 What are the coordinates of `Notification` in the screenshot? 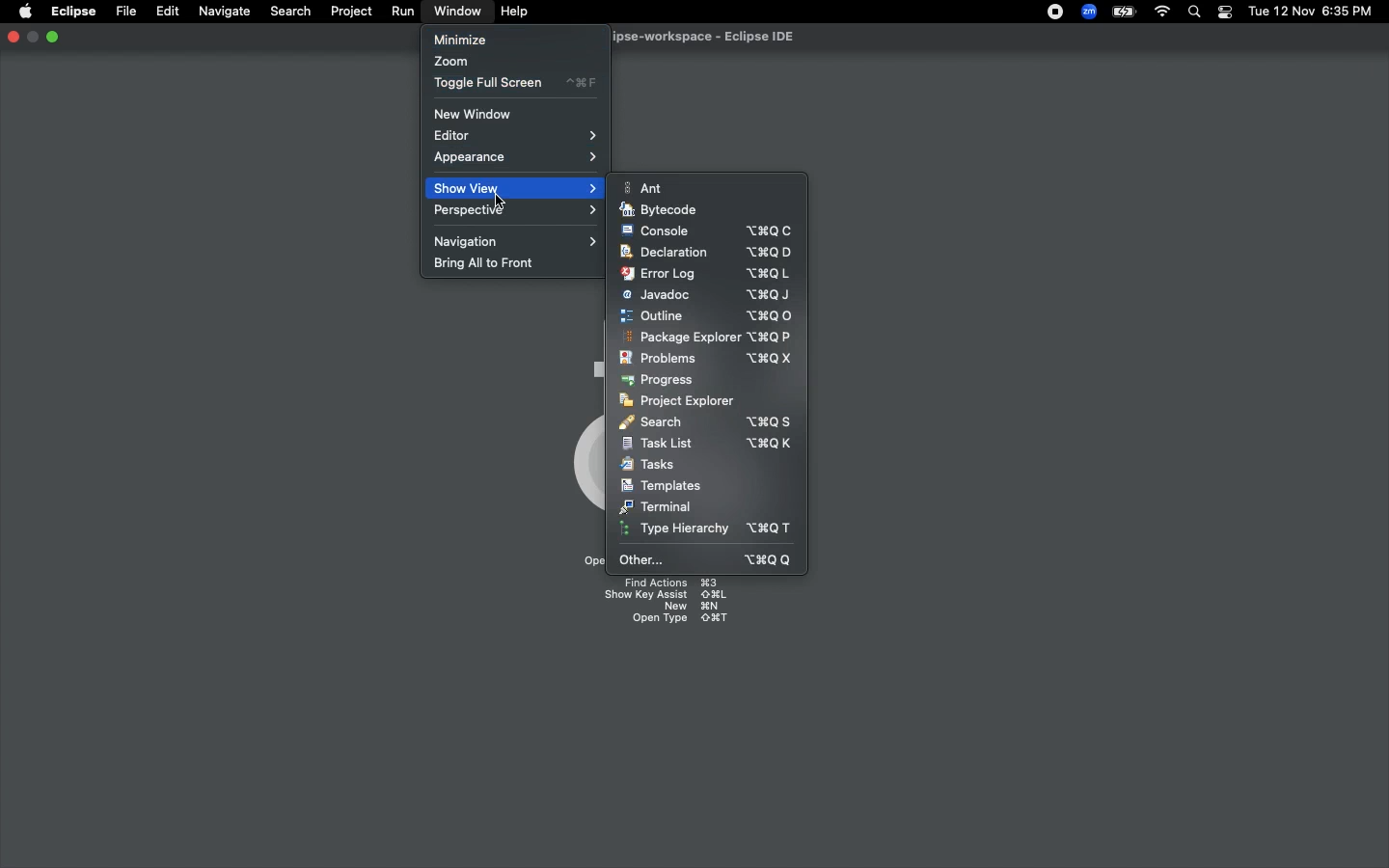 It's located at (1224, 13).